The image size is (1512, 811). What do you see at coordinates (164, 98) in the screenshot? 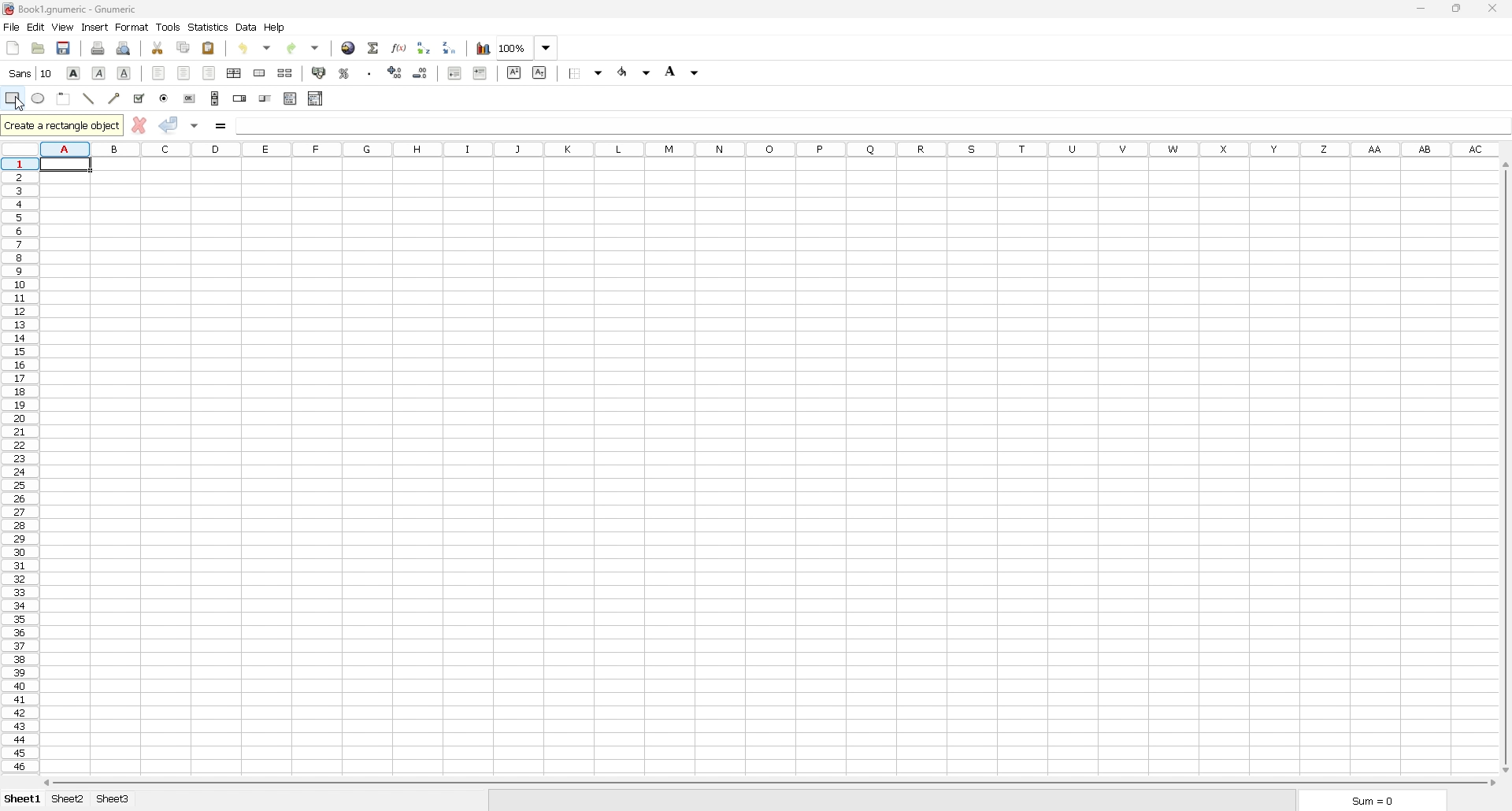
I see `radio button` at bounding box center [164, 98].